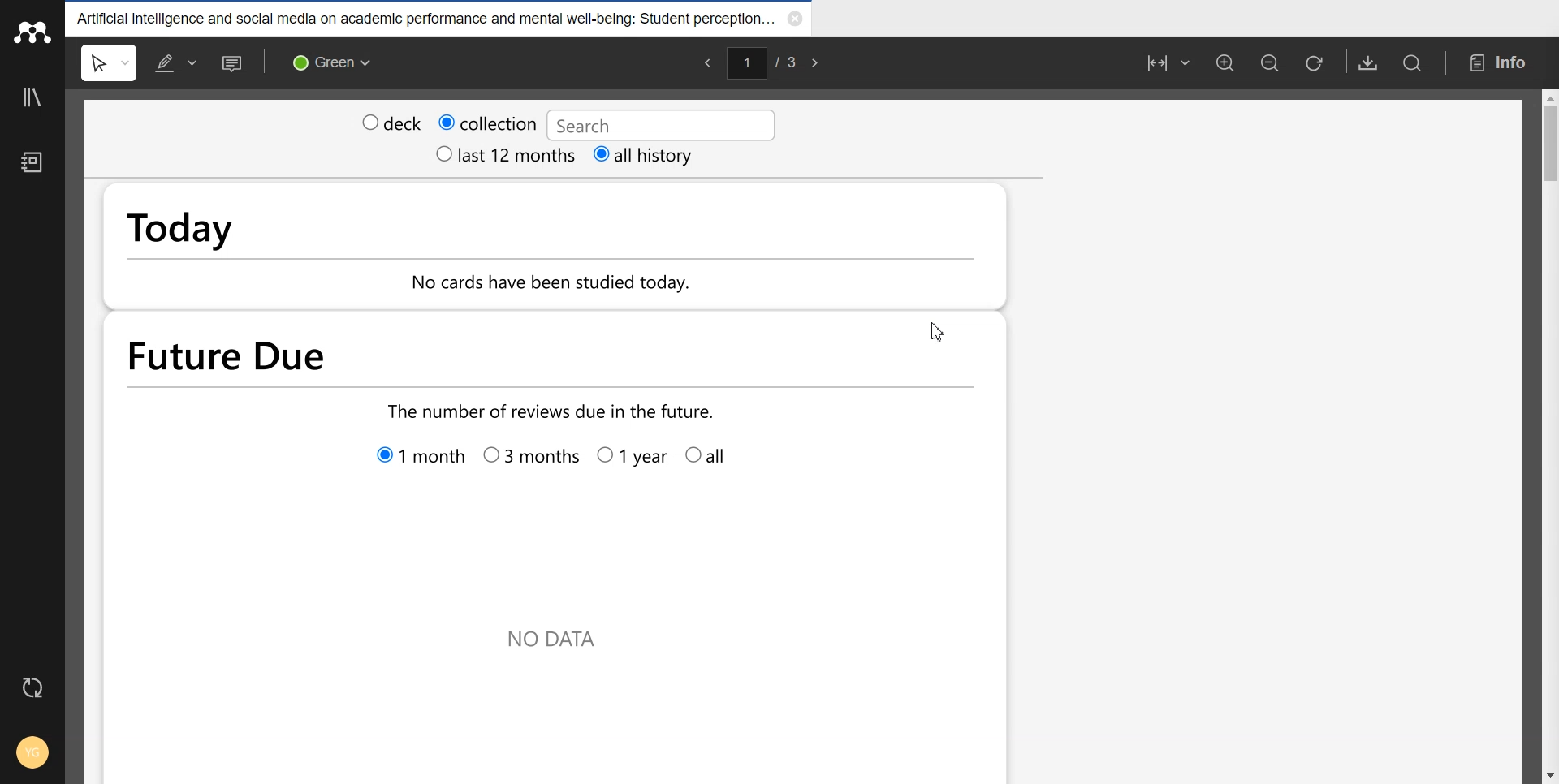  I want to click on Zoom in, so click(1223, 63).